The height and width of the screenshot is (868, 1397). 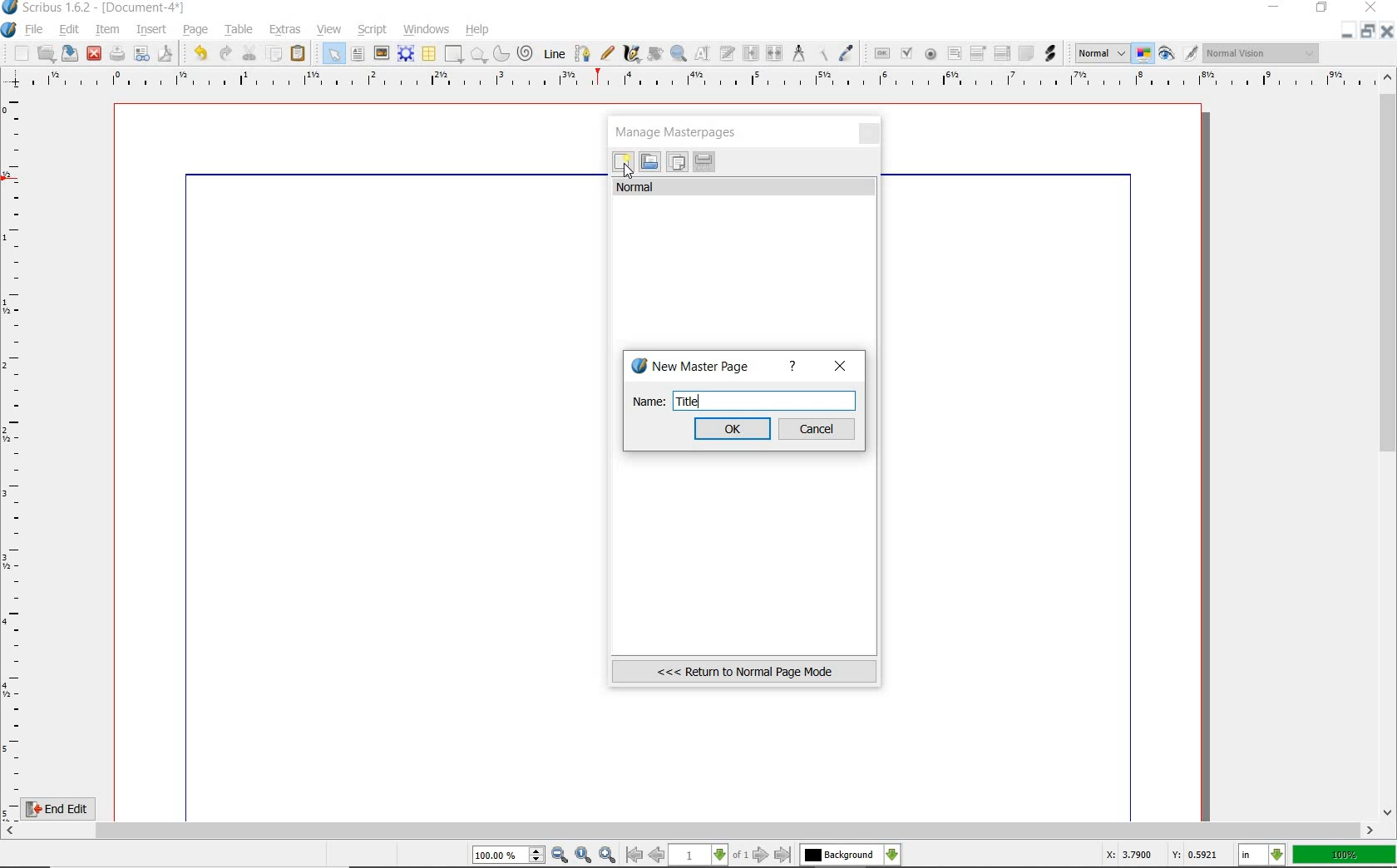 I want to click on link text frames, so click(x=749, y=52).